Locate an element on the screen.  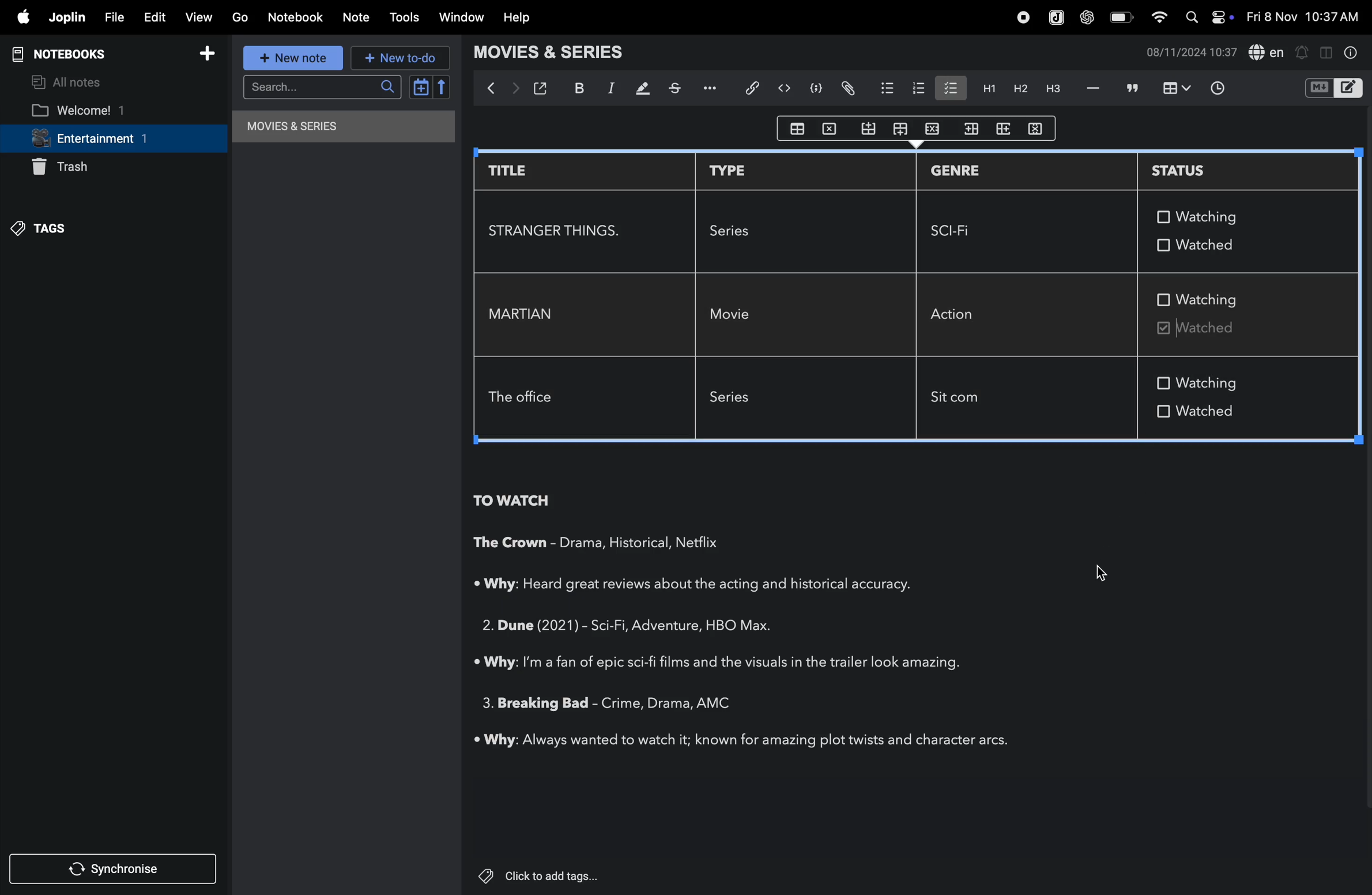
joplin is located at coordinates (1055, 17).